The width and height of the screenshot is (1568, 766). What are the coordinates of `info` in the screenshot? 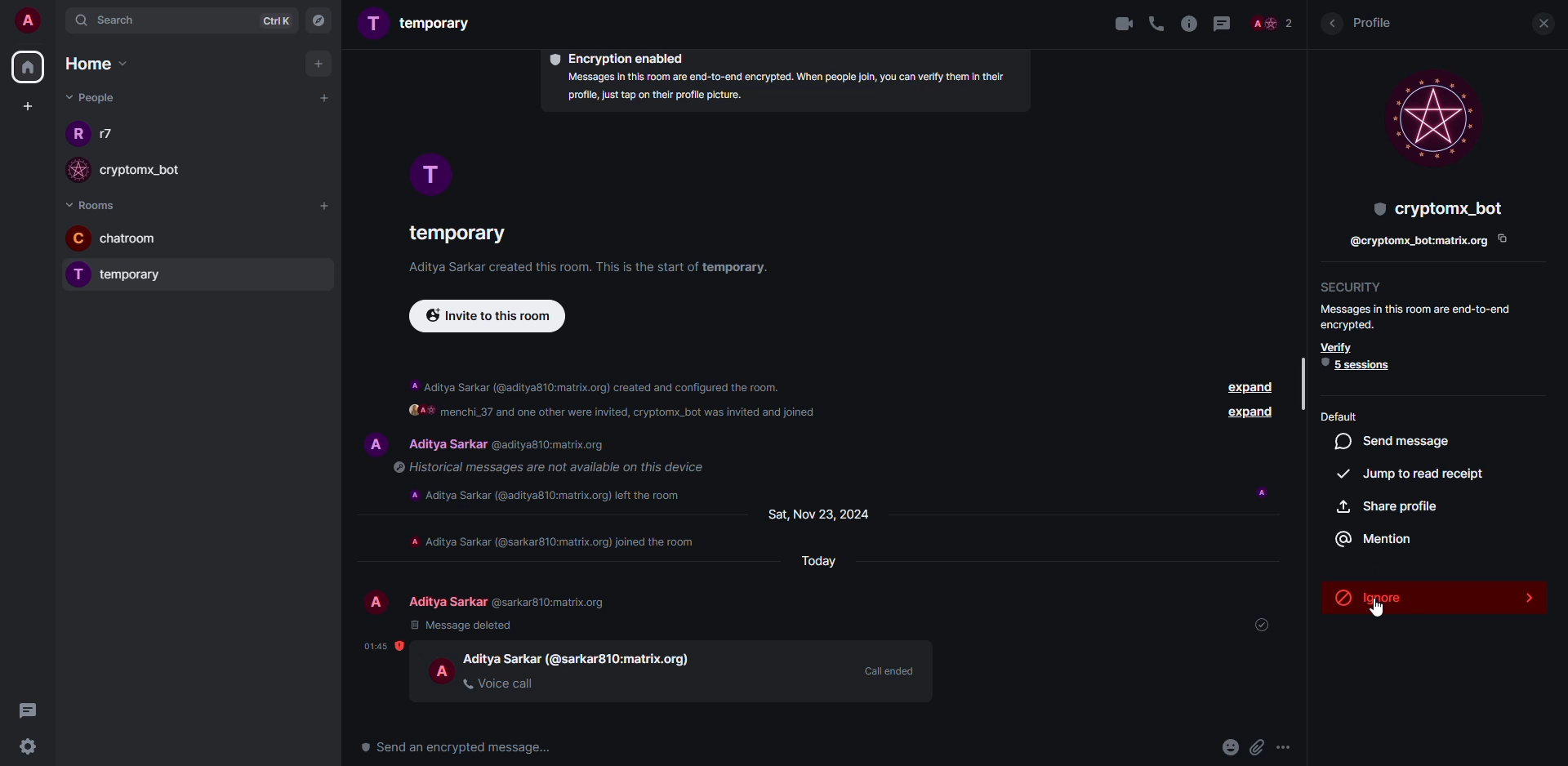 It's located at (1418, 315).